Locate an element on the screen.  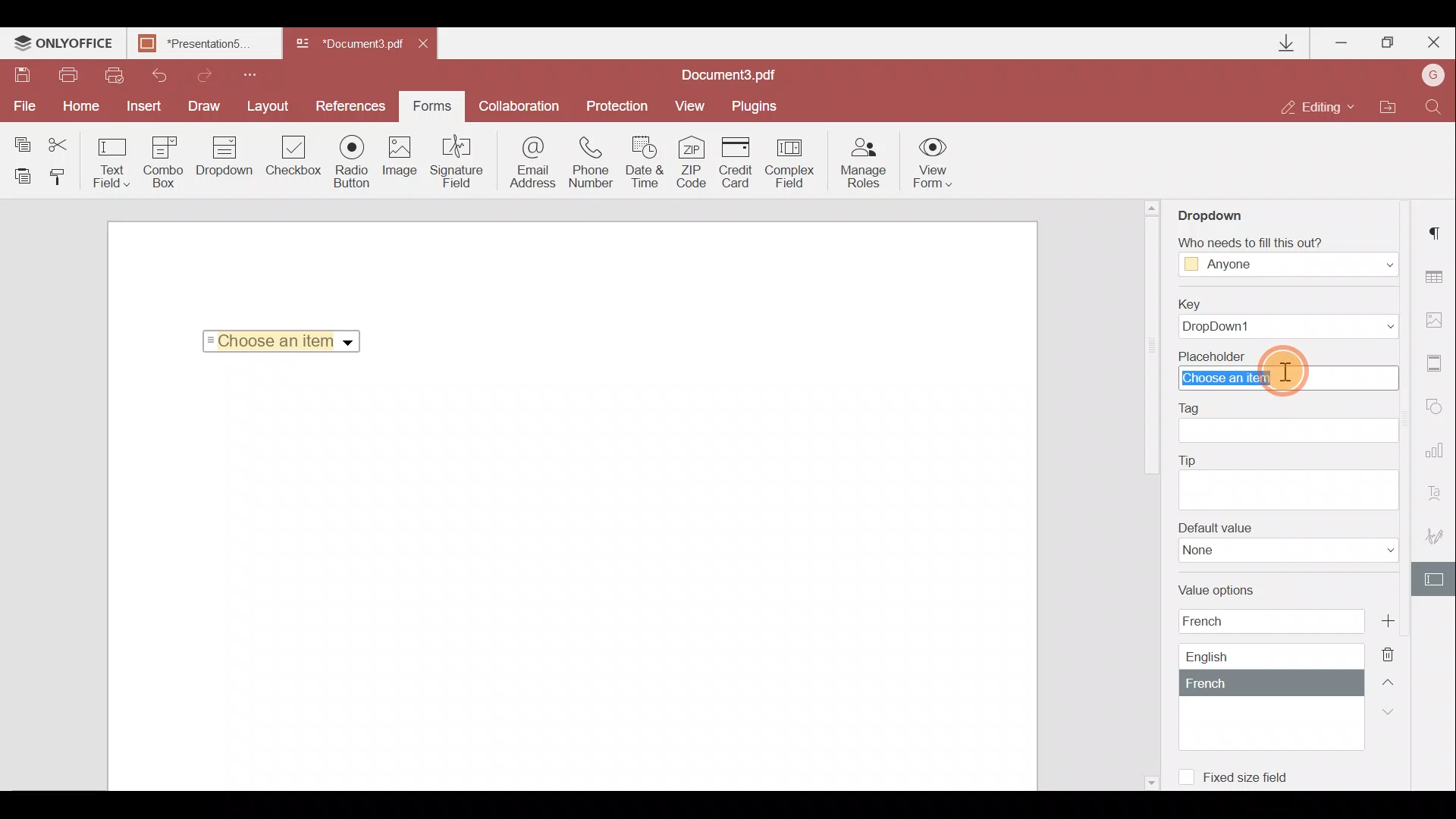
Customize quick access toolbar is located at coordinates (244, 73).